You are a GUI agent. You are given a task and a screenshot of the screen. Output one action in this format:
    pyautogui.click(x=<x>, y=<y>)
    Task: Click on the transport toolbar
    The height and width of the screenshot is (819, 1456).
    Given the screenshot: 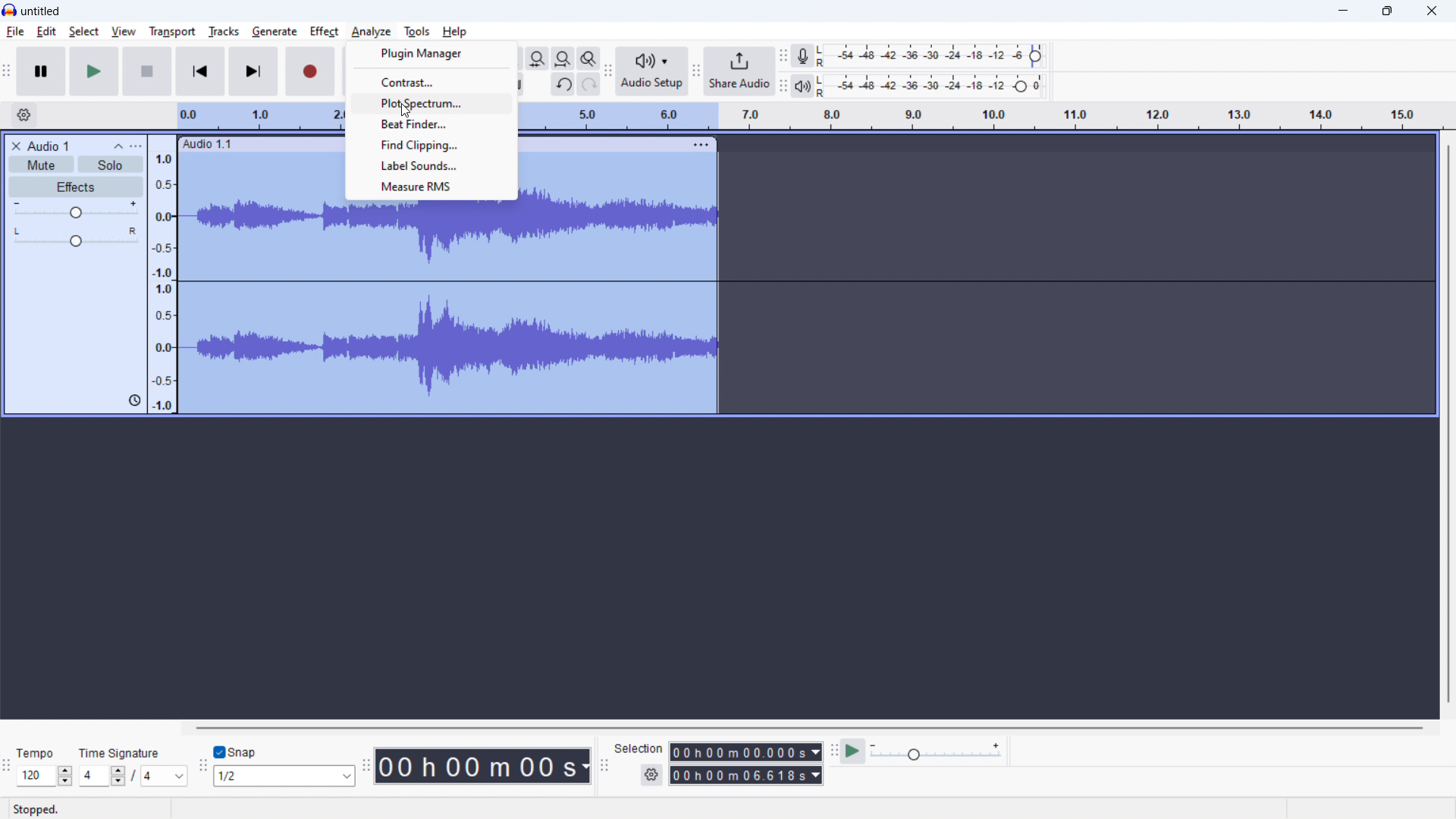 What is the action you would take?
    pyautogui.click(x=7, y=74)
    